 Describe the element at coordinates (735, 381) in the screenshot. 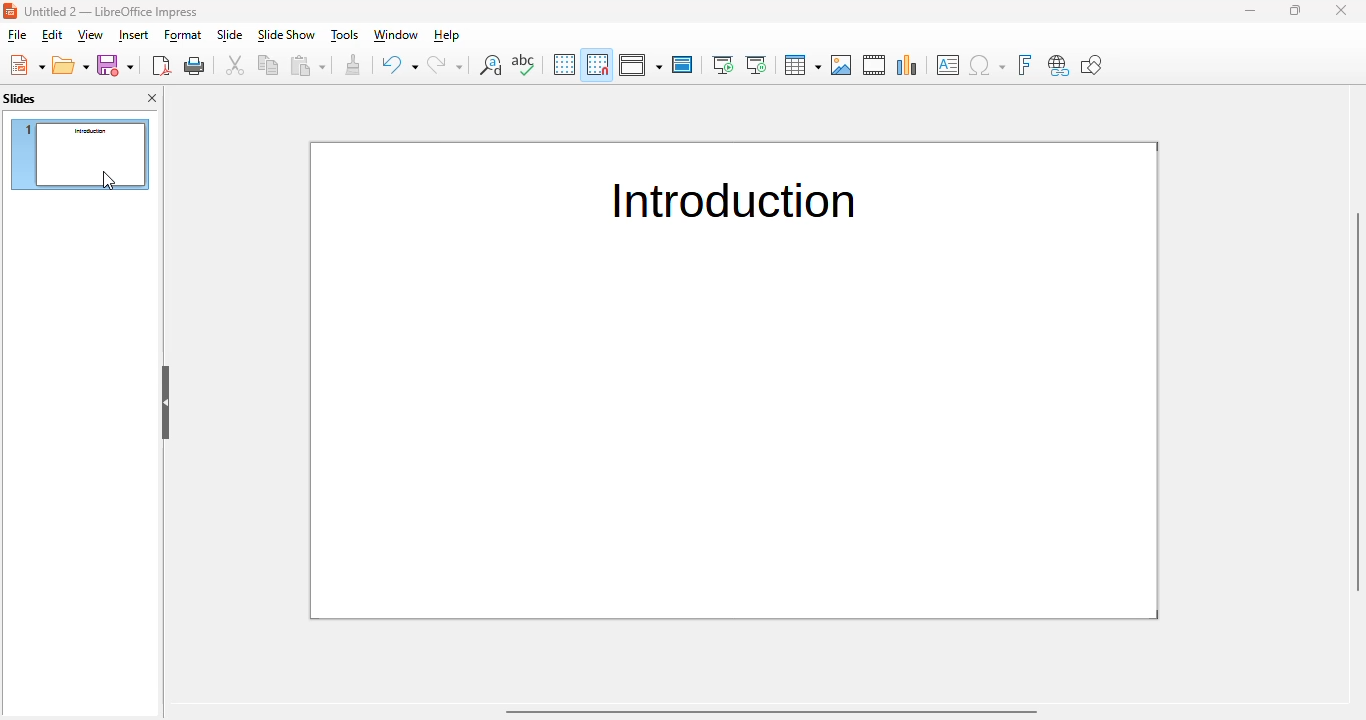

I see `slide 1` at that location.